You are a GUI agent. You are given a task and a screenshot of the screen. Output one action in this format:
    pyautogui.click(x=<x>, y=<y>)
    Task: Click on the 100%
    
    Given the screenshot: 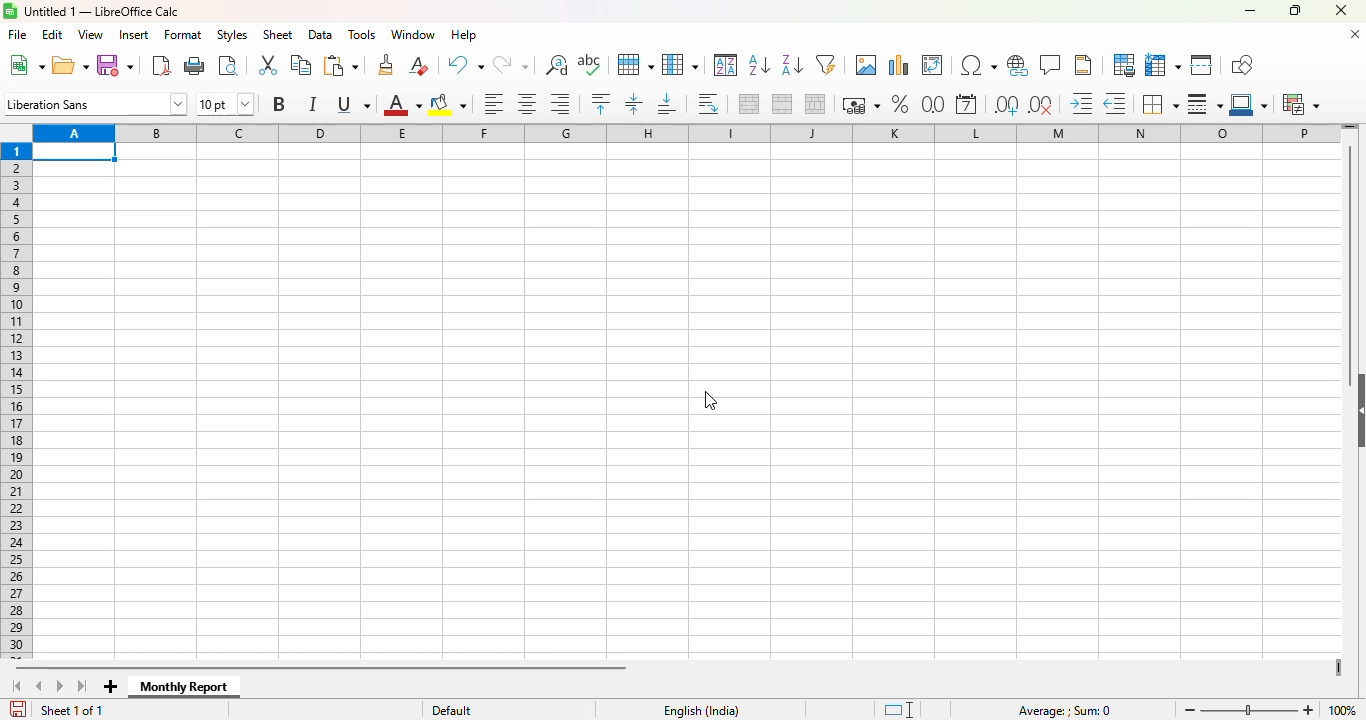 What is the action you would take?
    pyautogui.click(x=1343, y=710)
    